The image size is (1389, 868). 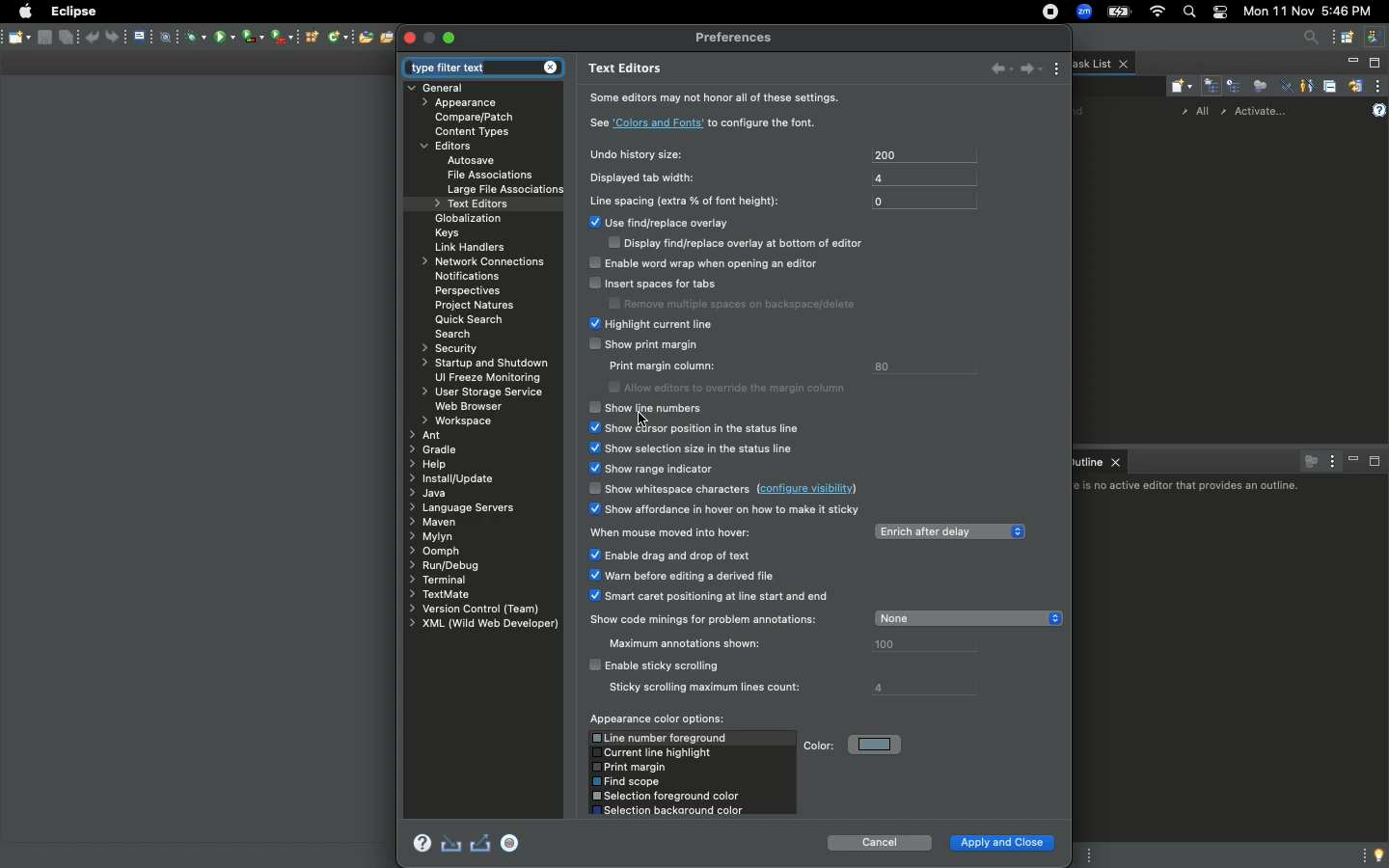 I want to click on View menu, so click(x=1379, y=86).